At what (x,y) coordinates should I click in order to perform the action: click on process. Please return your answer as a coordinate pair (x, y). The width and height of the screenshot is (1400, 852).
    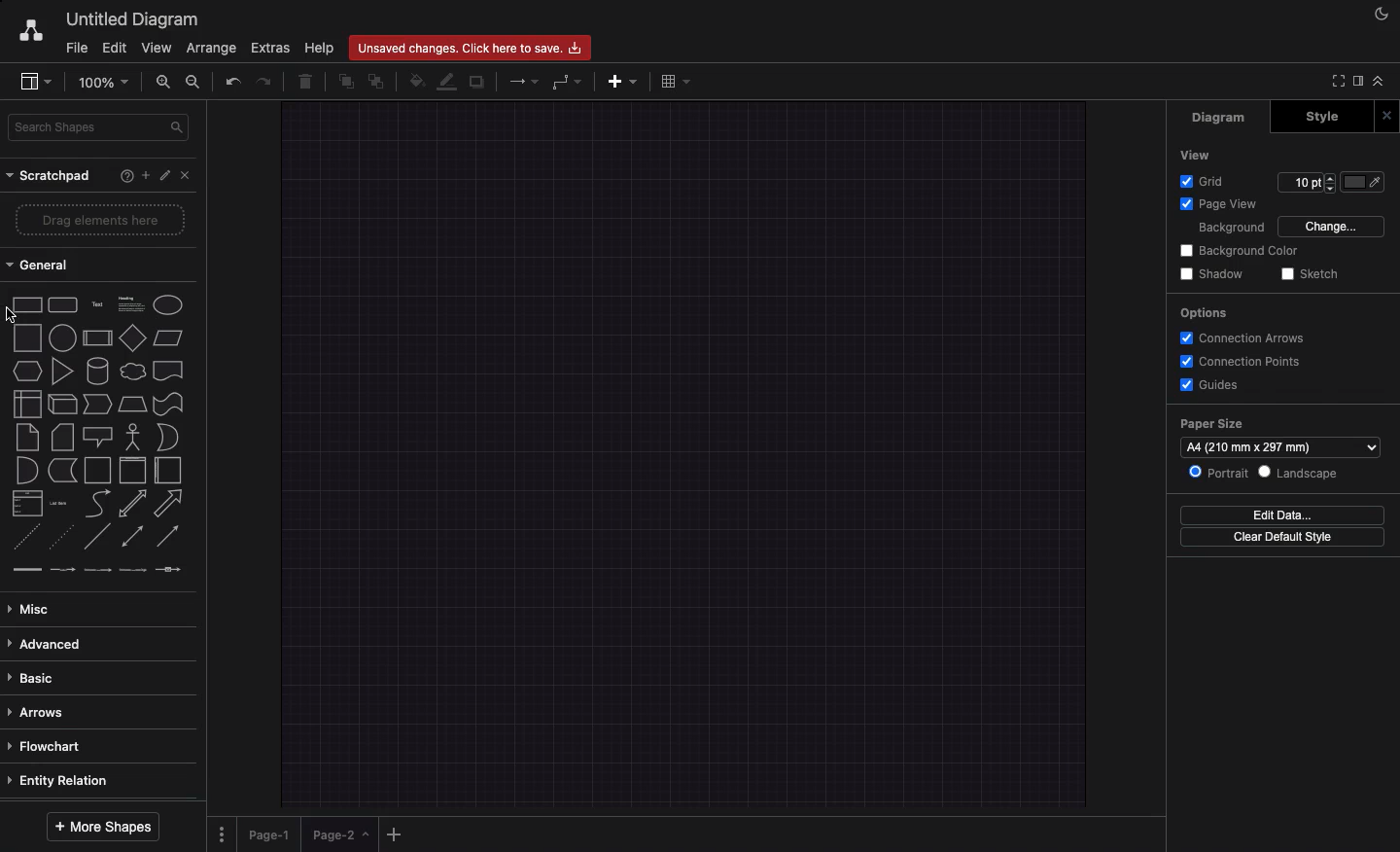
    Looking at the image, I should click on (96, 338).